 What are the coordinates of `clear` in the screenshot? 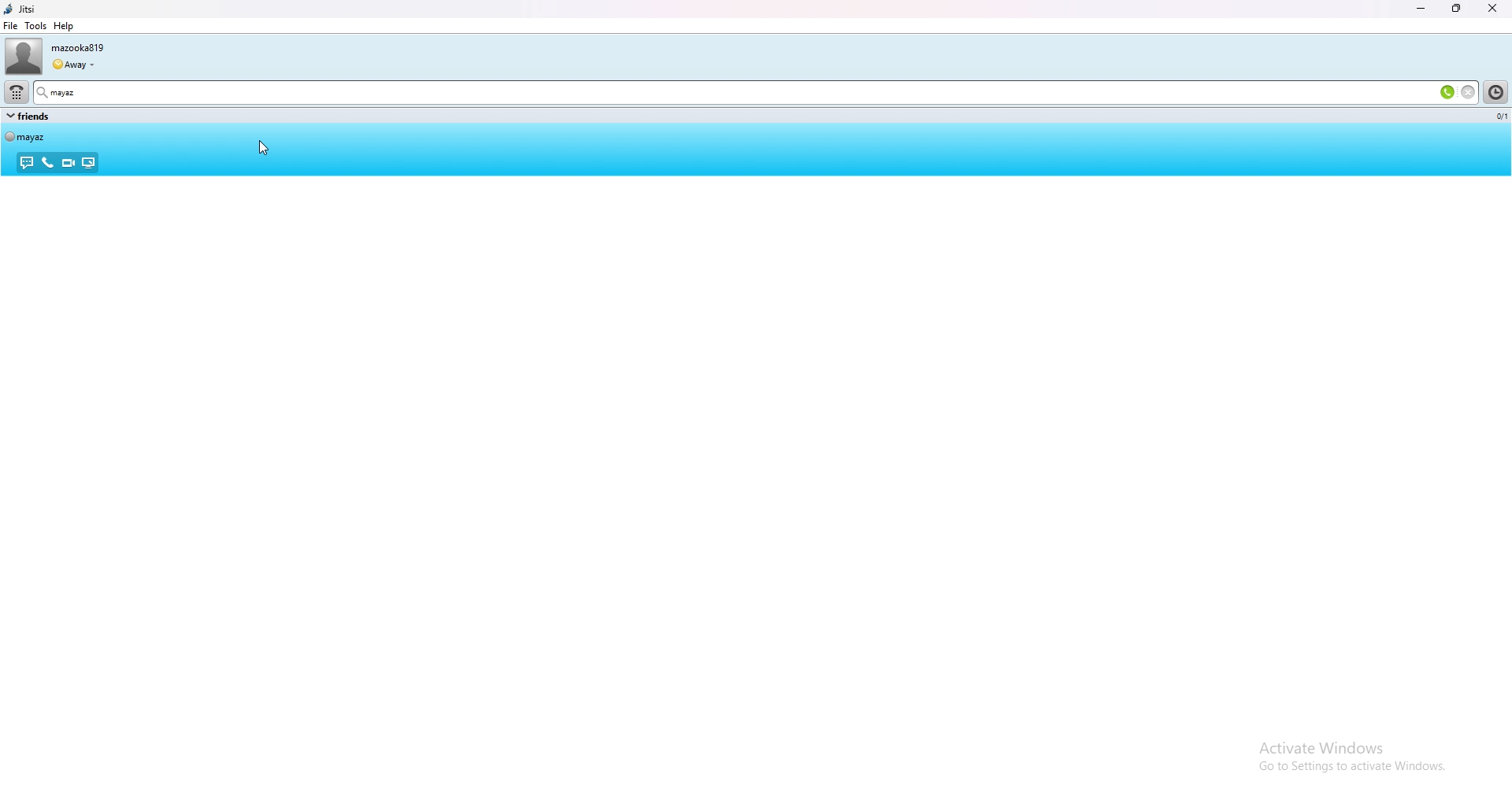 It's located at (1468, 91).